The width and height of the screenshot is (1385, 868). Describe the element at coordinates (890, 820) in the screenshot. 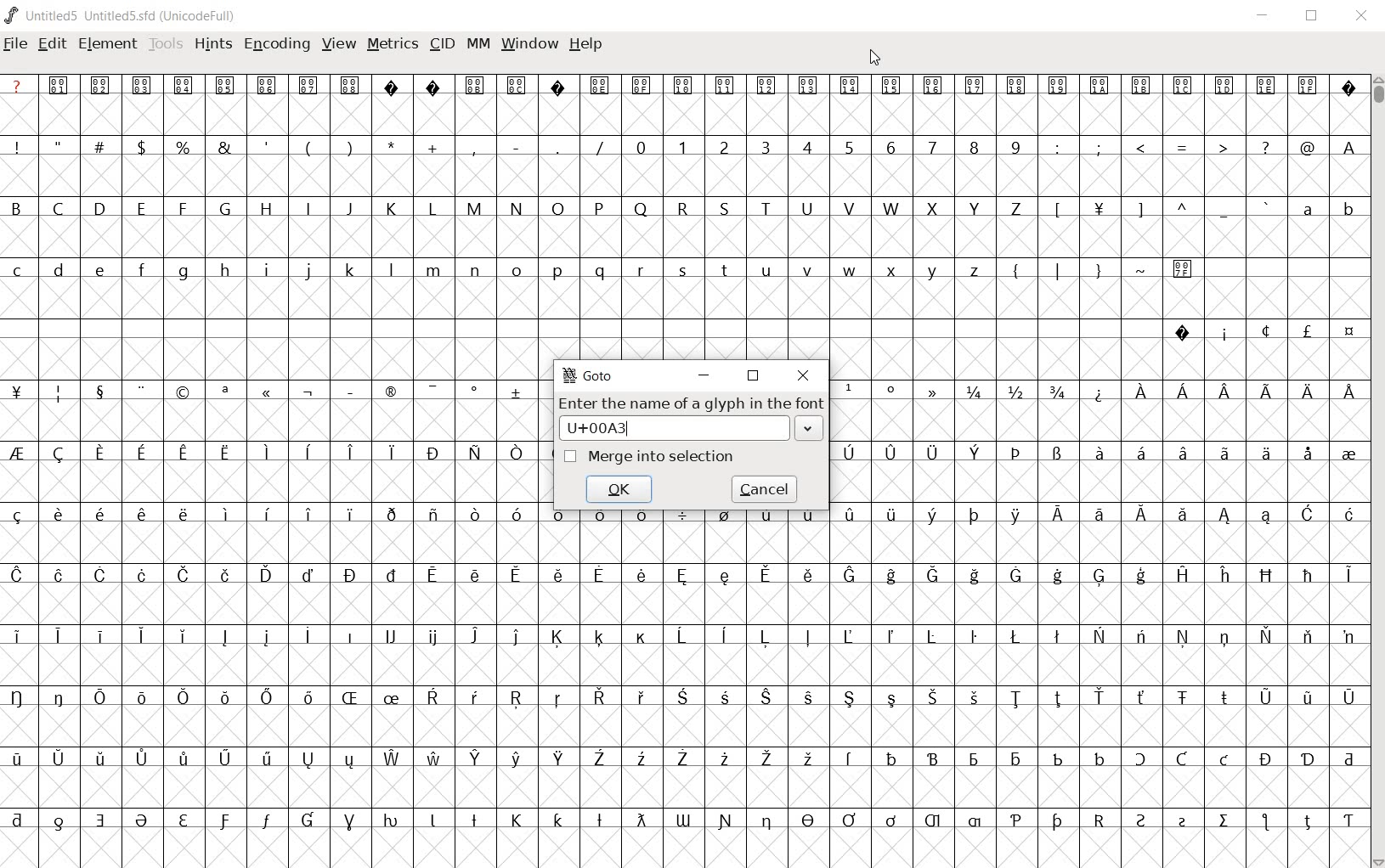

I see `Symbol` at that location.